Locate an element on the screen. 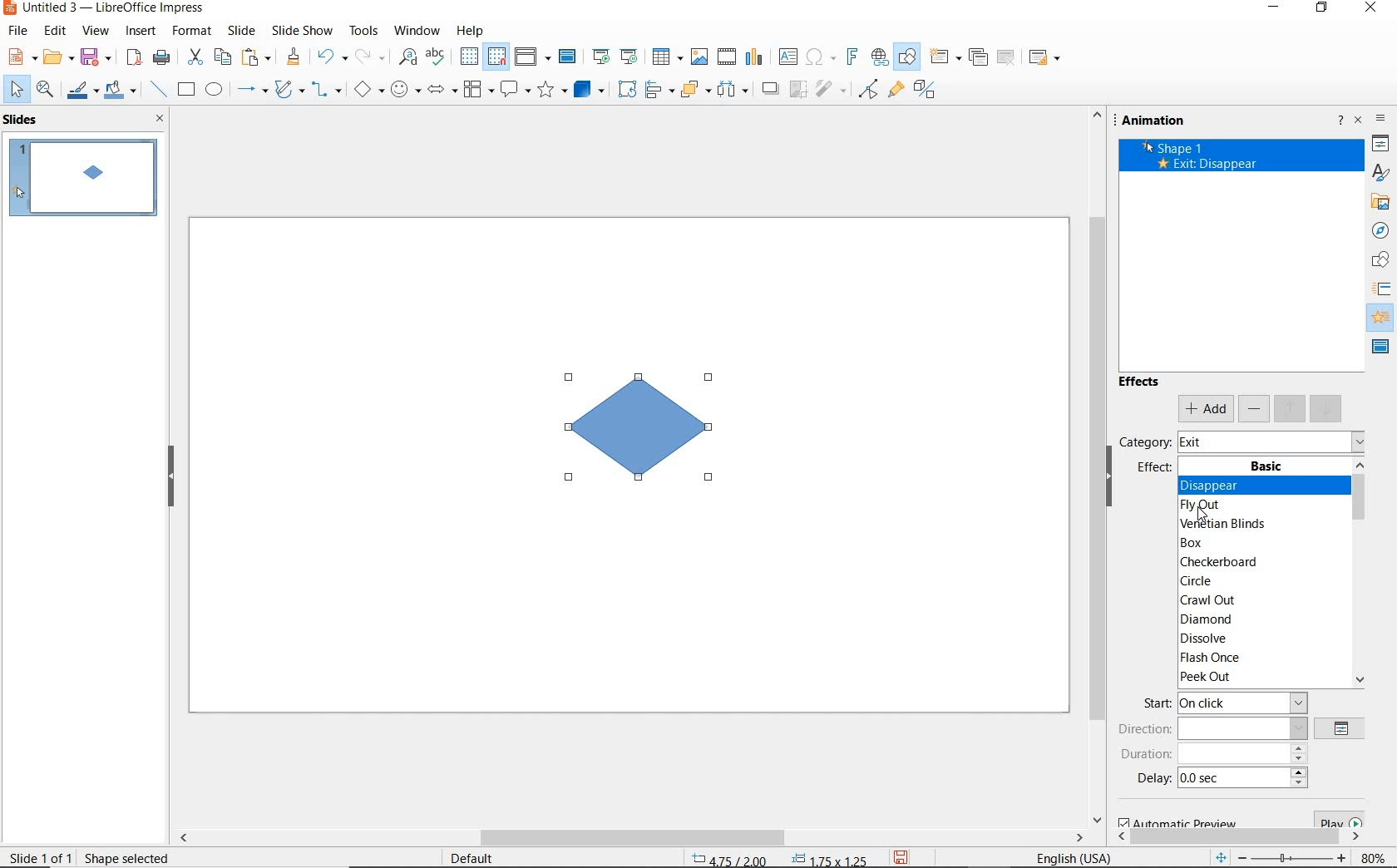  select is located at coordinates (17, 91).